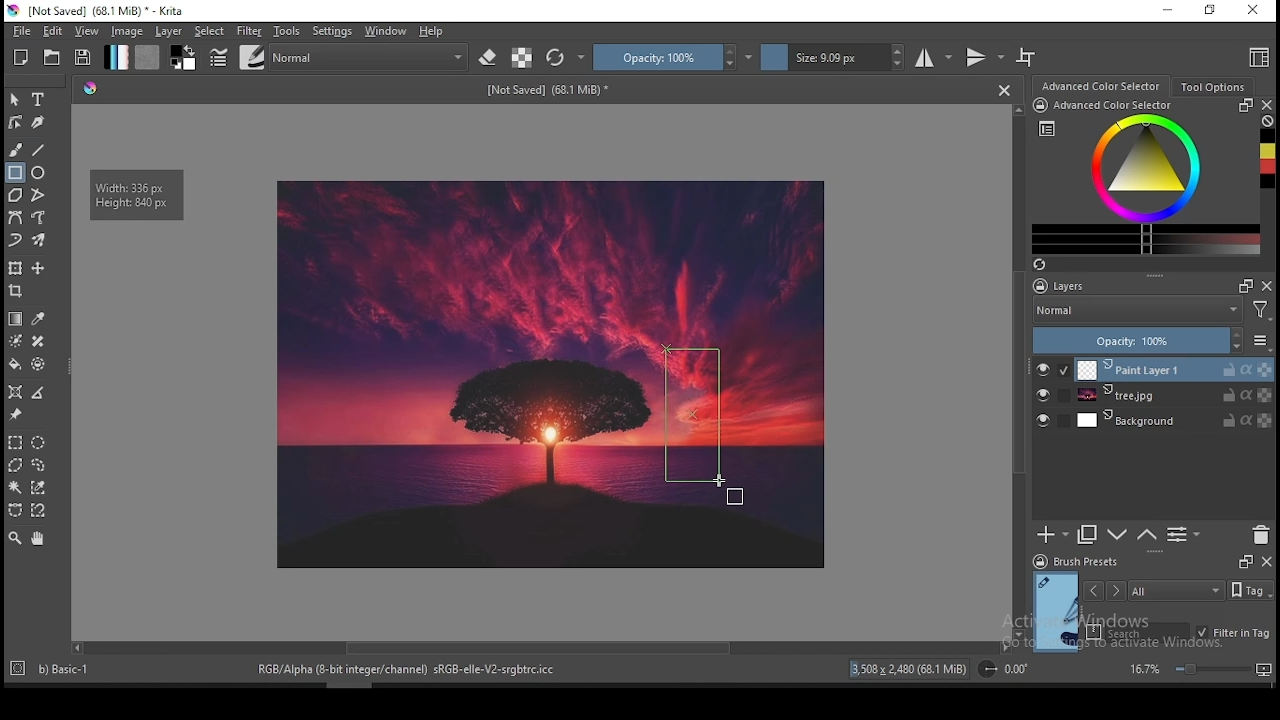  I want to click on layer, so click(169, 32).